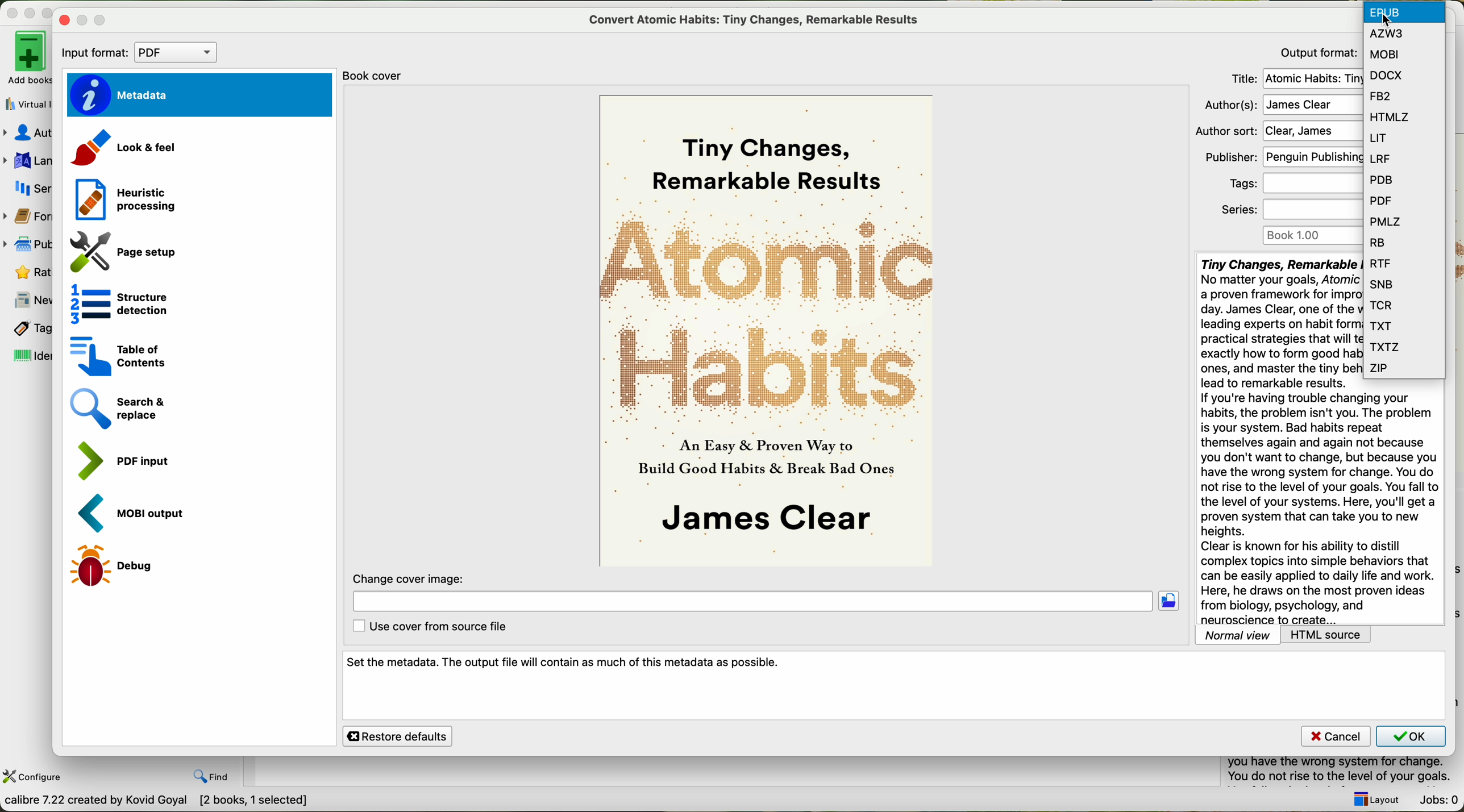 The width and height of the screenshot is (1464, 812). I want to click on click on EPUB, so click(1405, 11).